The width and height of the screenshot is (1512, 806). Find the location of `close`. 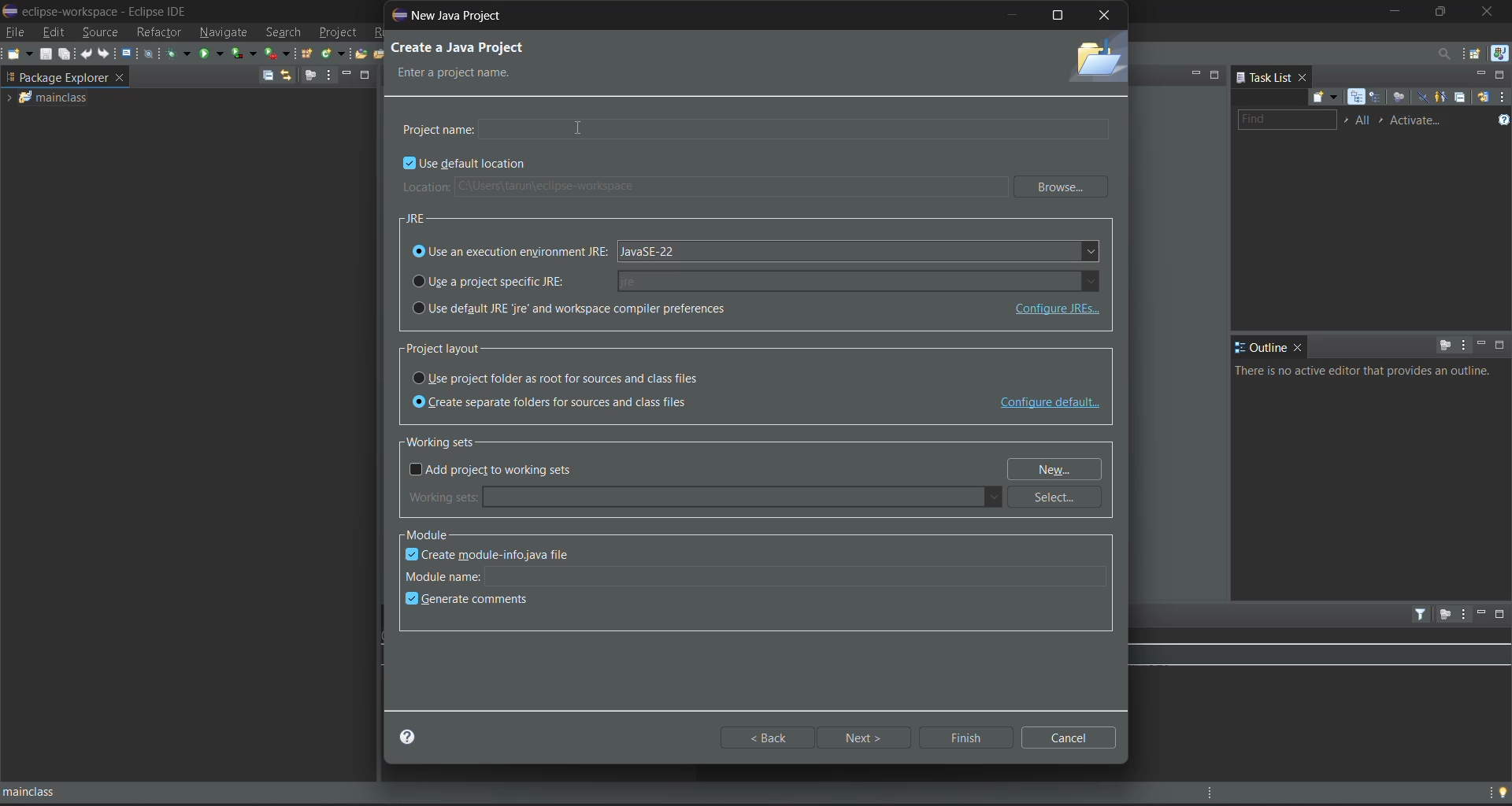

close is located at coordinates (1299, 347).